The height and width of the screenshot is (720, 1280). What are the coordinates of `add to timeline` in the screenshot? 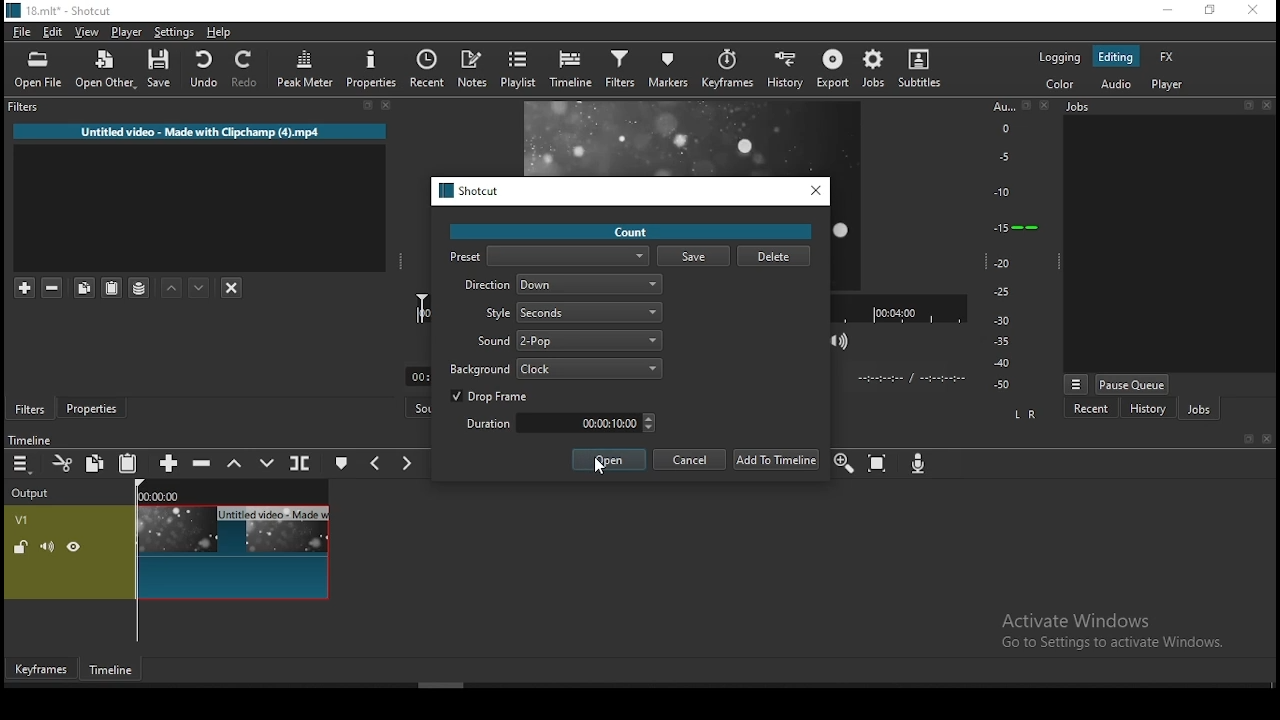 It's located at (777, 460).